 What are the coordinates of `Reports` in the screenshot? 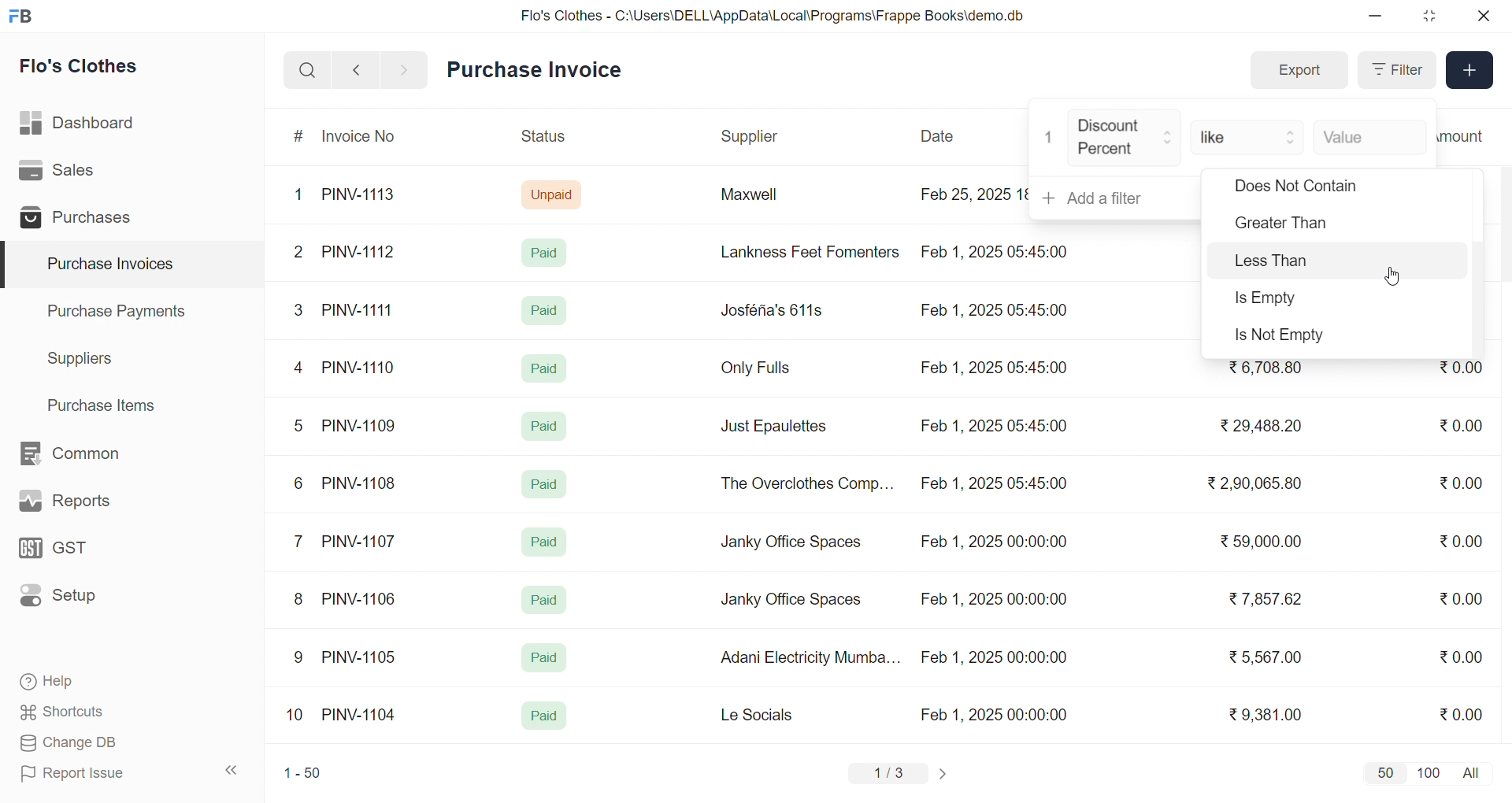 It's located at (83, 505).